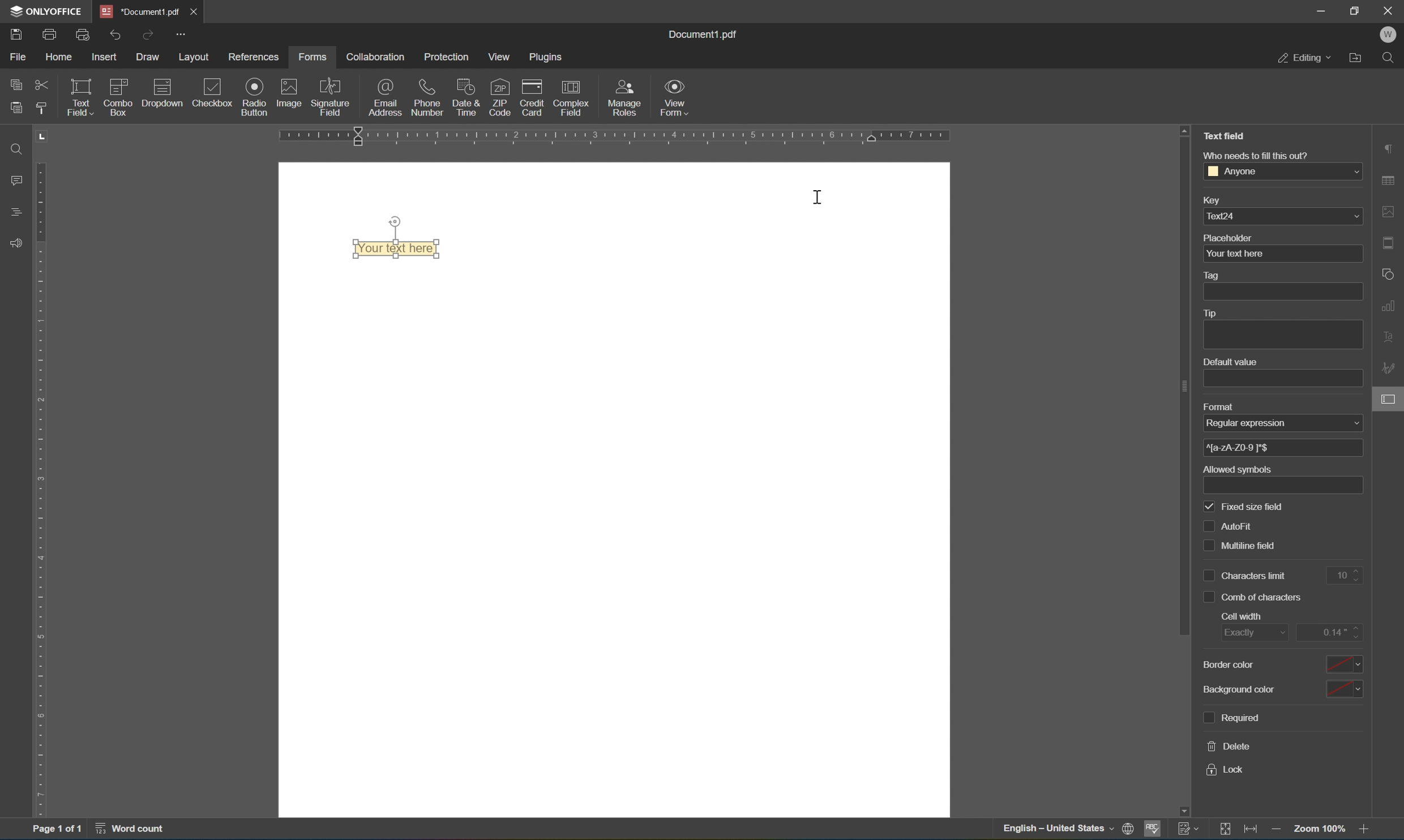 The image size is (1404, 840). What do you see at coordinates (1225, 770) in the screenshot?
I see `lock` at bounding box center [1225, 770].